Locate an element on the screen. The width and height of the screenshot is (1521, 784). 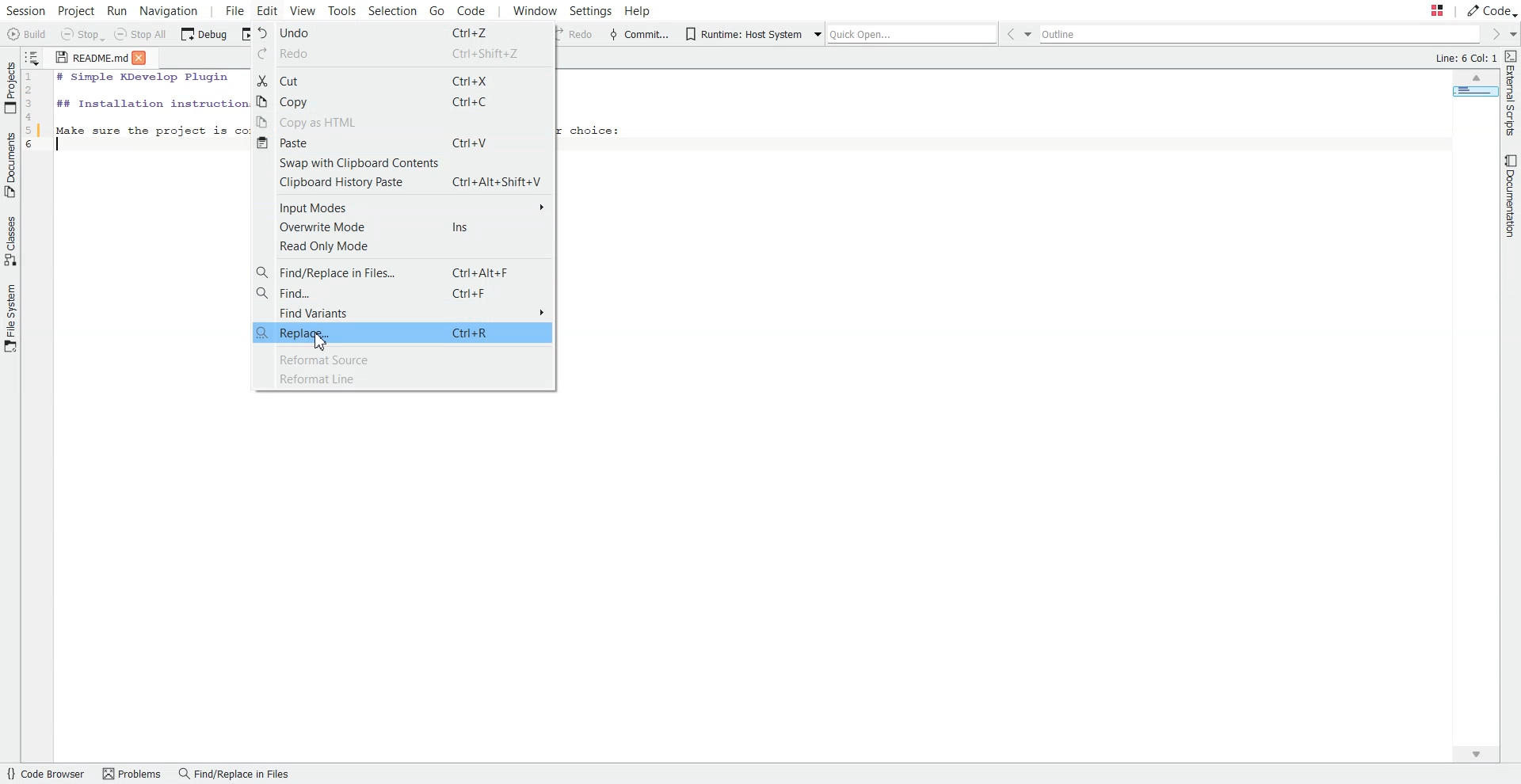
Text Cursor is located at coordinates (62, 146).